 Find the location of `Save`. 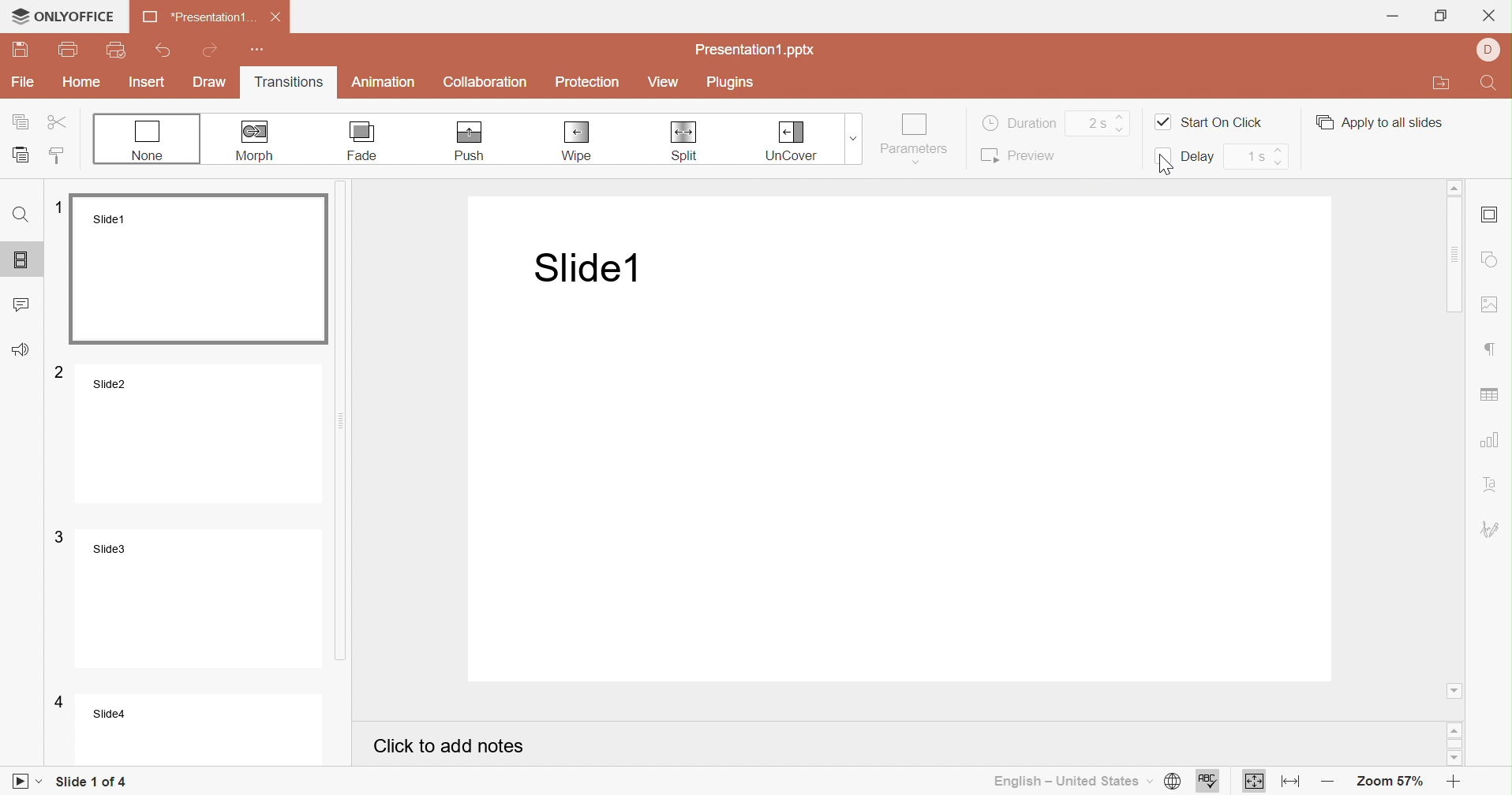

Save is located at coordinates (19, 51).